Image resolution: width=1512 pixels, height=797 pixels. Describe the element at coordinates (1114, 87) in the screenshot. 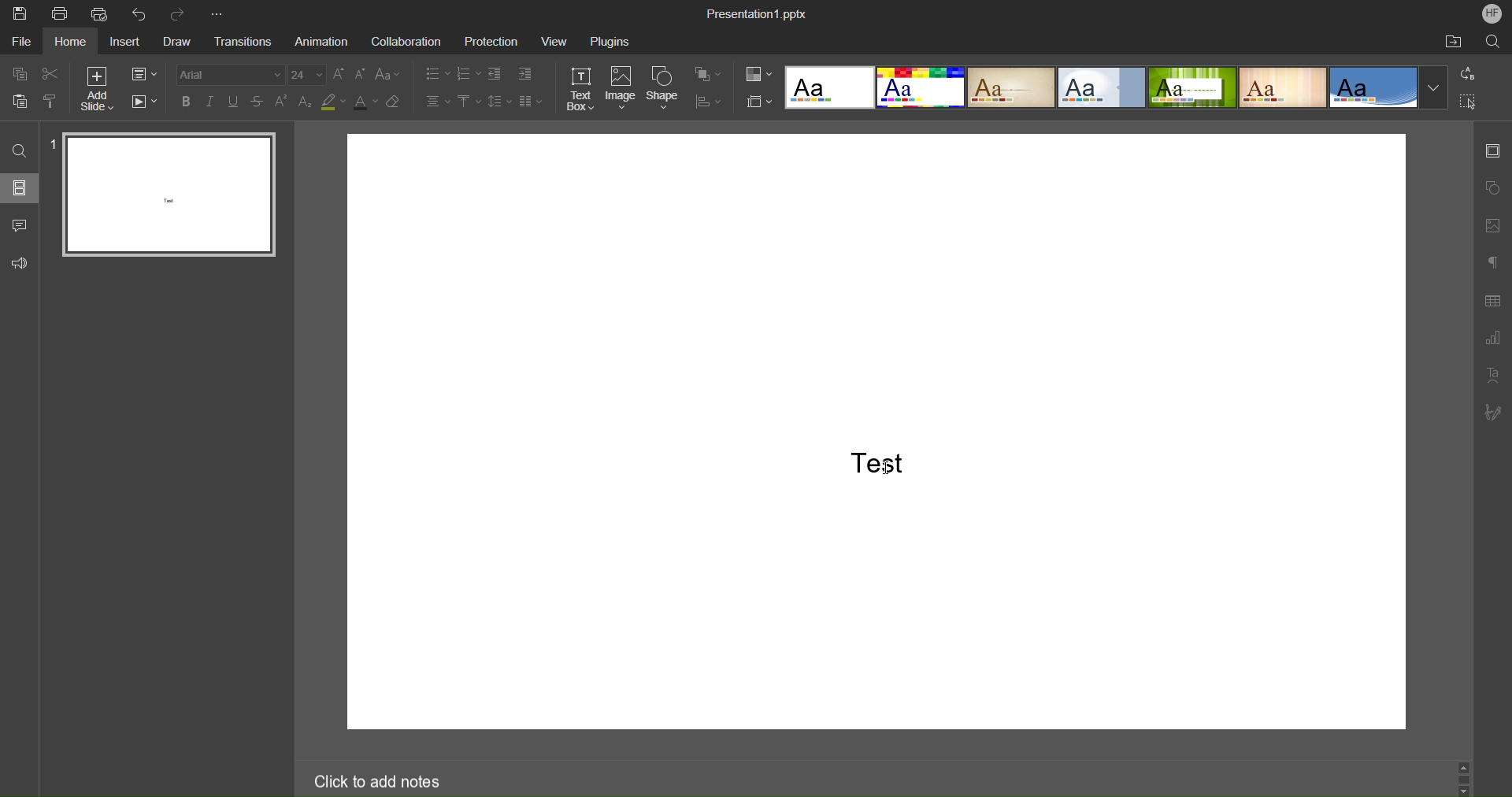

I see `Templates` at that location.